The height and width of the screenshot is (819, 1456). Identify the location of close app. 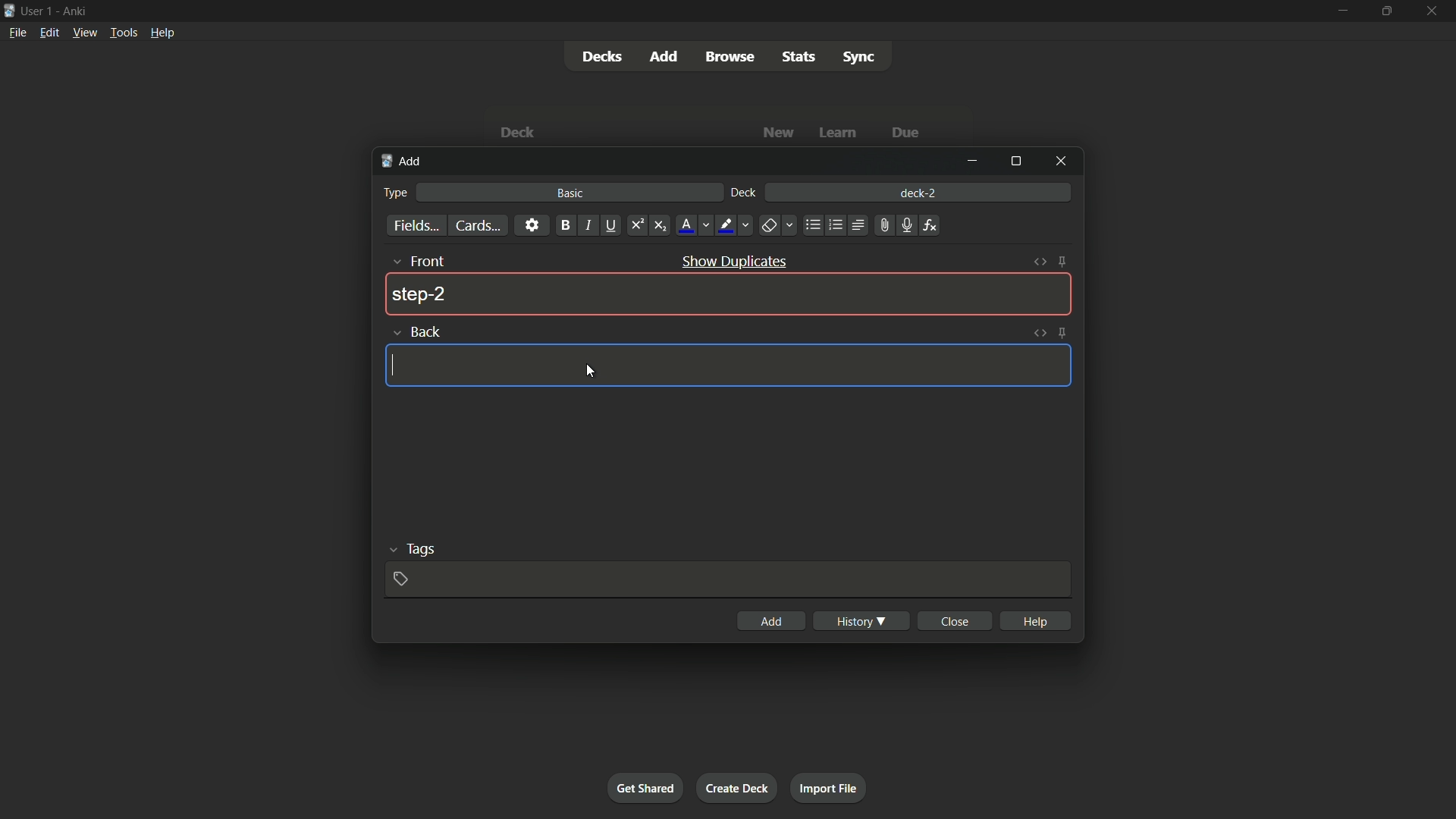
(1432, 11).